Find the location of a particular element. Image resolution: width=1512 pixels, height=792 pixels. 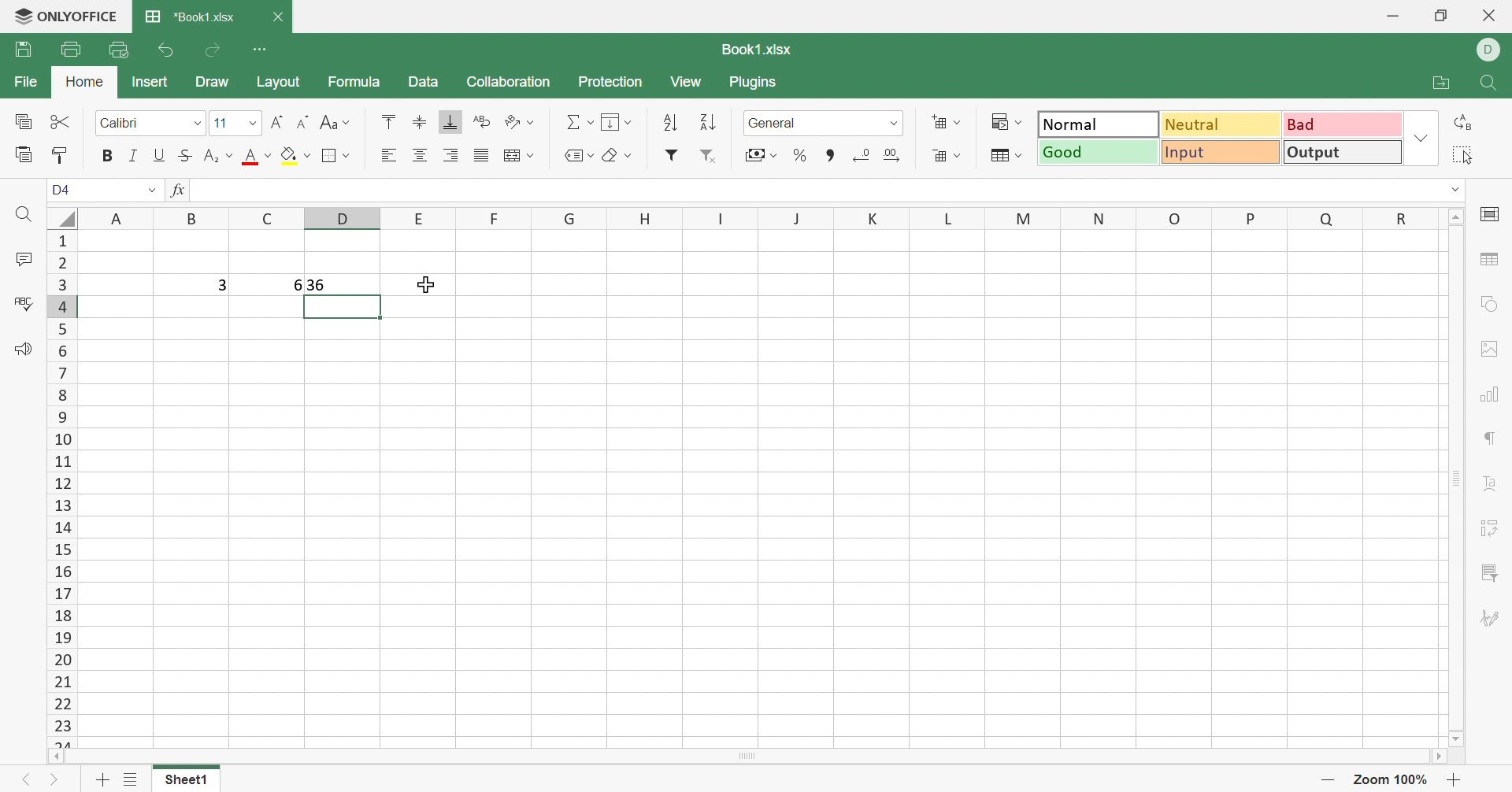

Text art settings is located at coordinates (1492, 481).